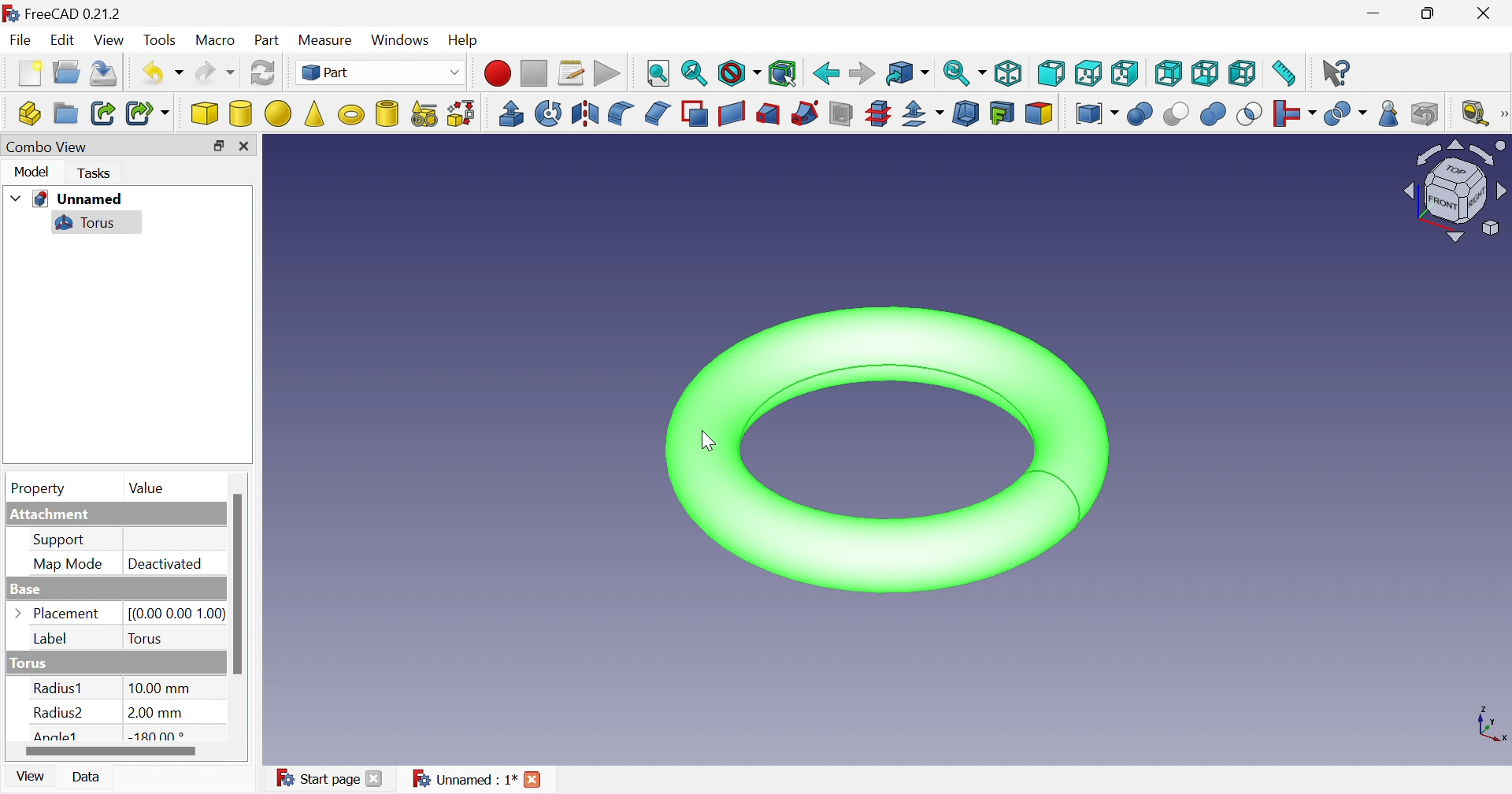 This screenshot has width=1512, height=794. Describe the element at coordinates (1090, 72) in the screenshot. I see `Top` at that location.